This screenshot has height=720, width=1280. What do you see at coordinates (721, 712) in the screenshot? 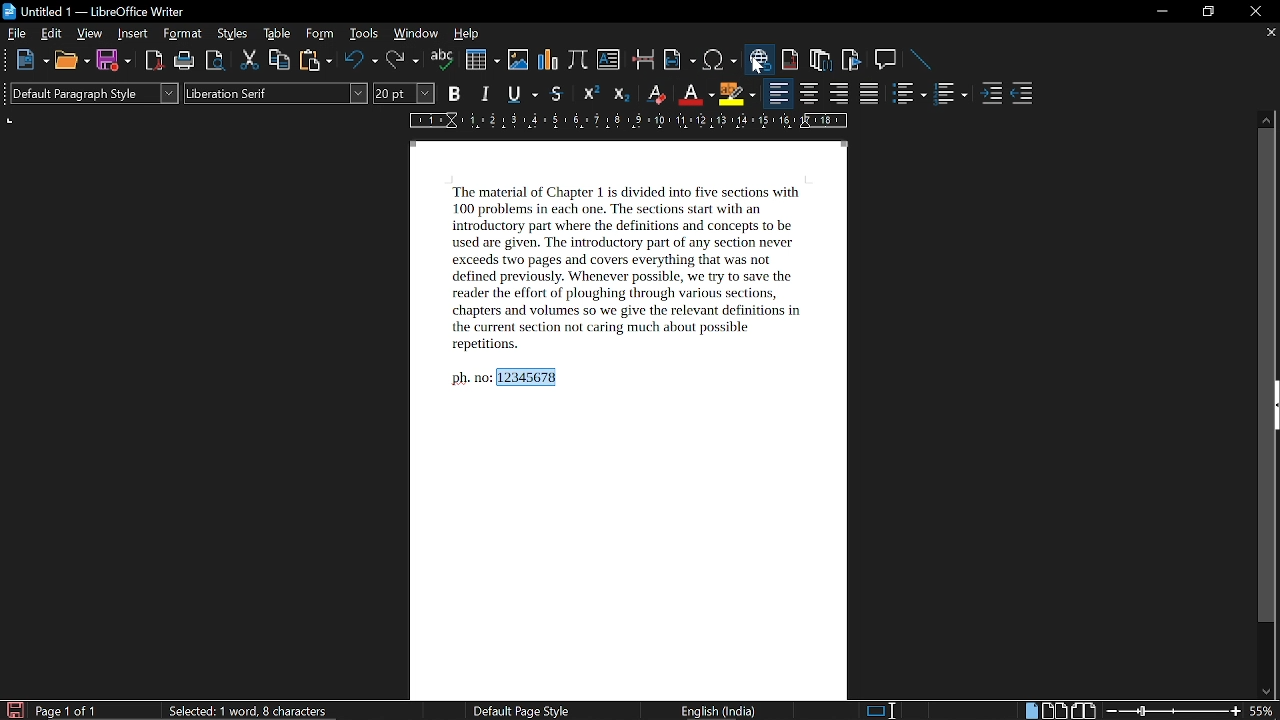
I see `English (India)` at bounding box center [721, 712].